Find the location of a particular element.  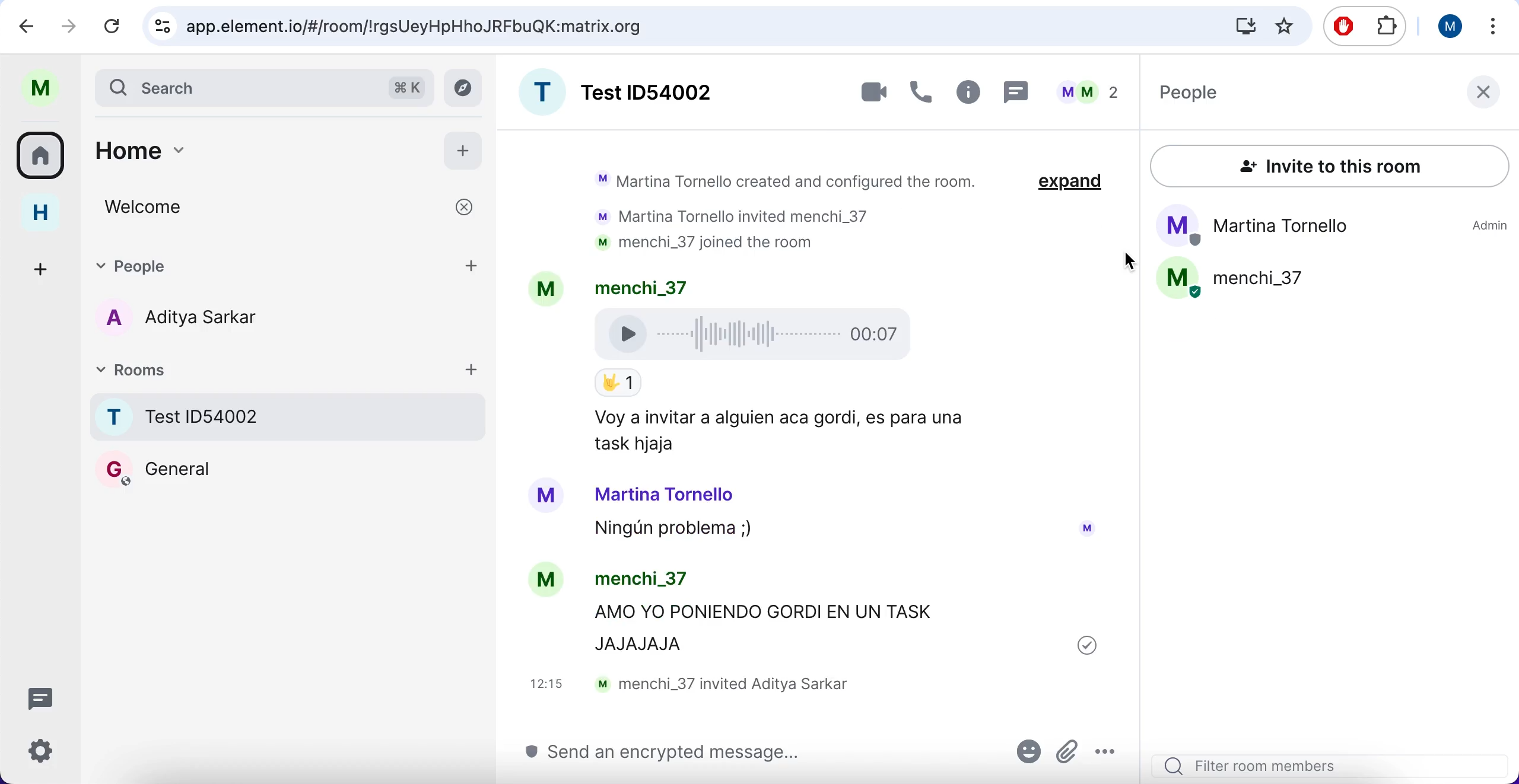

user is located at coordinates (1451, 27).